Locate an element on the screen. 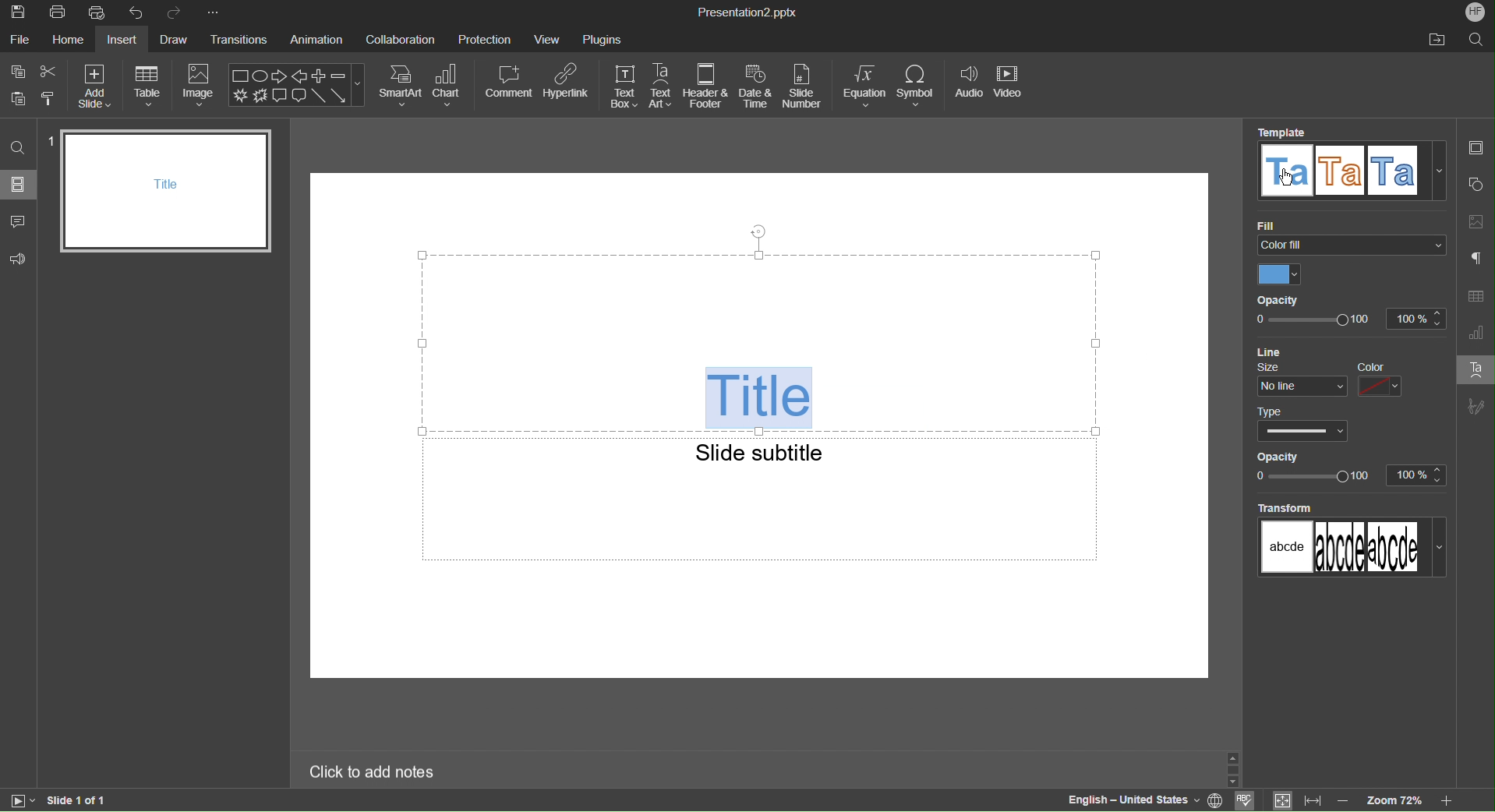 The width and height of the screenshot is (1495, 812). Undo is located at coordinates (136, 12).